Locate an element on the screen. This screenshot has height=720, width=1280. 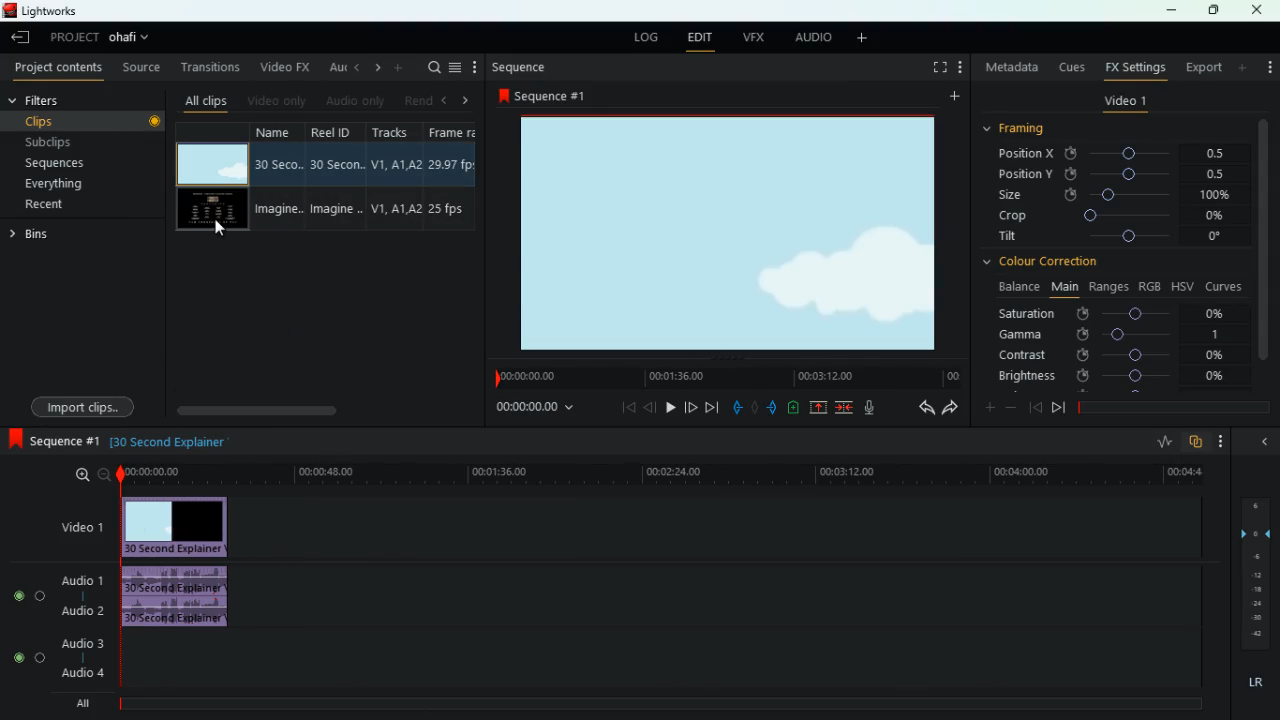
maximize is located at coordinates (1215, 10).